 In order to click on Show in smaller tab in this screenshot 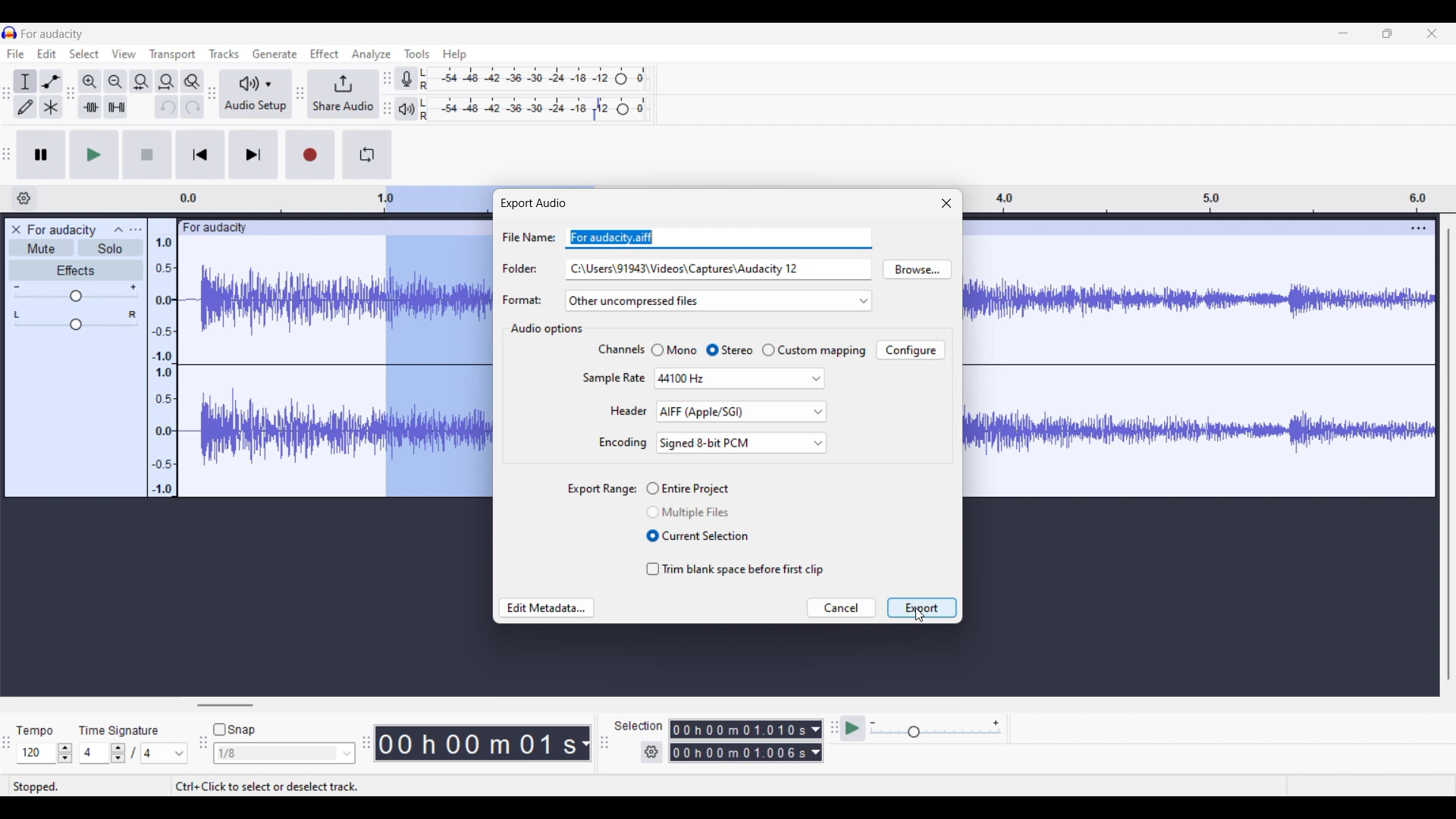, I will do `click(1387, 33)`.